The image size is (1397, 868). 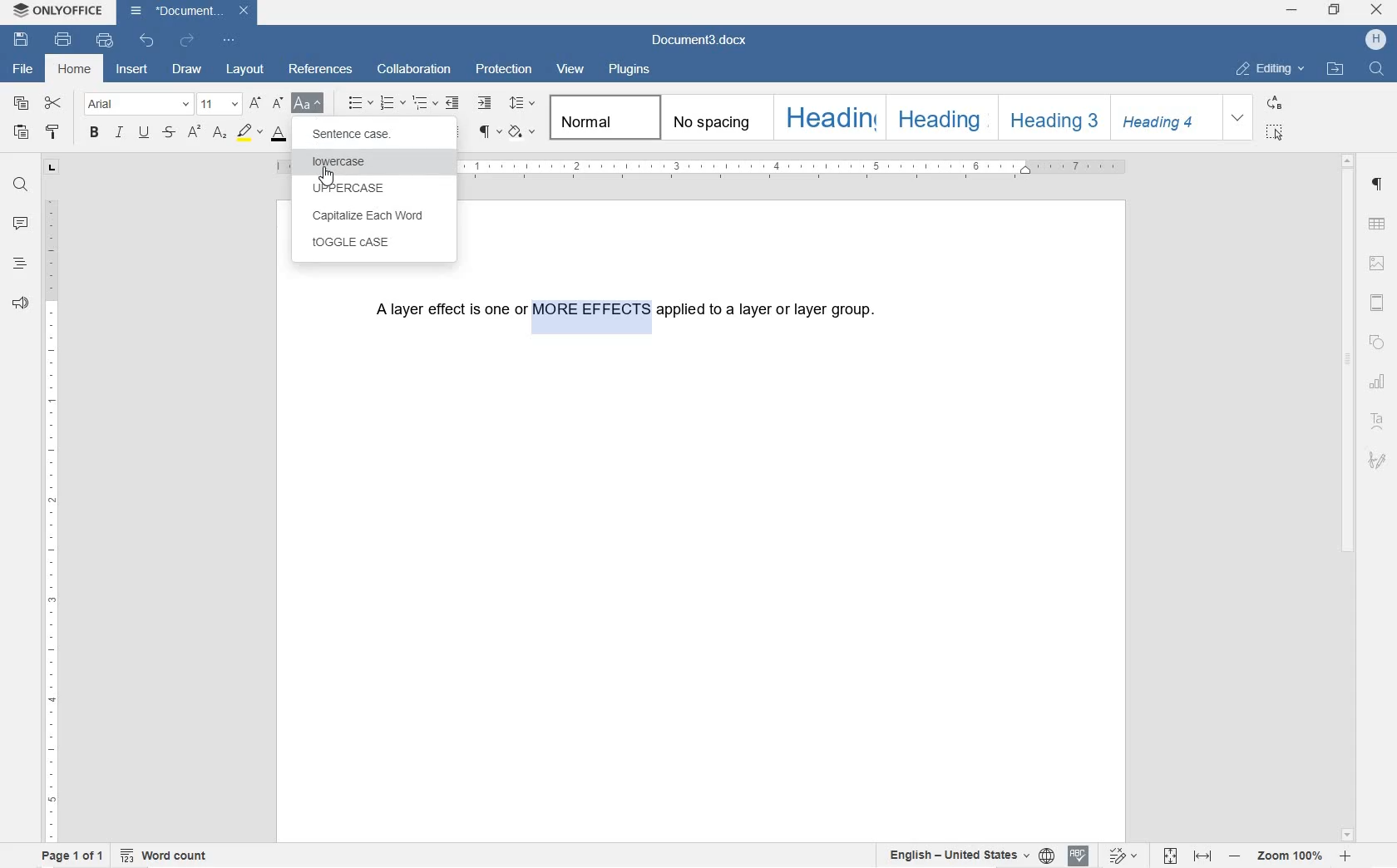 What do you see at coordinates (1241, 118) in the screenshot?
I see `EXPAND FORMATTING STYLE` at bounding box center [1241, 118].